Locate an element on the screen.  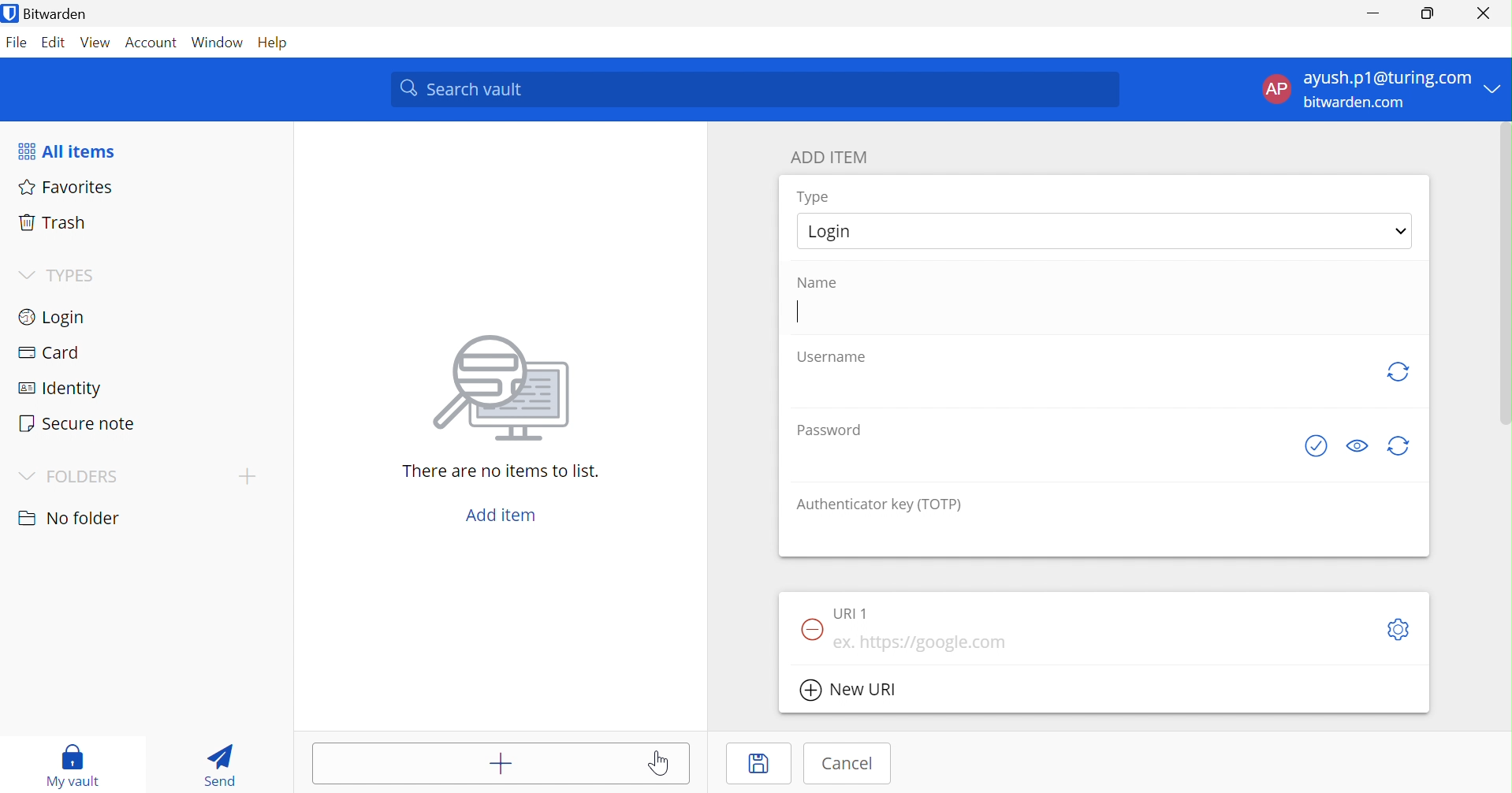
Settings is located at coordinates (1399, 629).